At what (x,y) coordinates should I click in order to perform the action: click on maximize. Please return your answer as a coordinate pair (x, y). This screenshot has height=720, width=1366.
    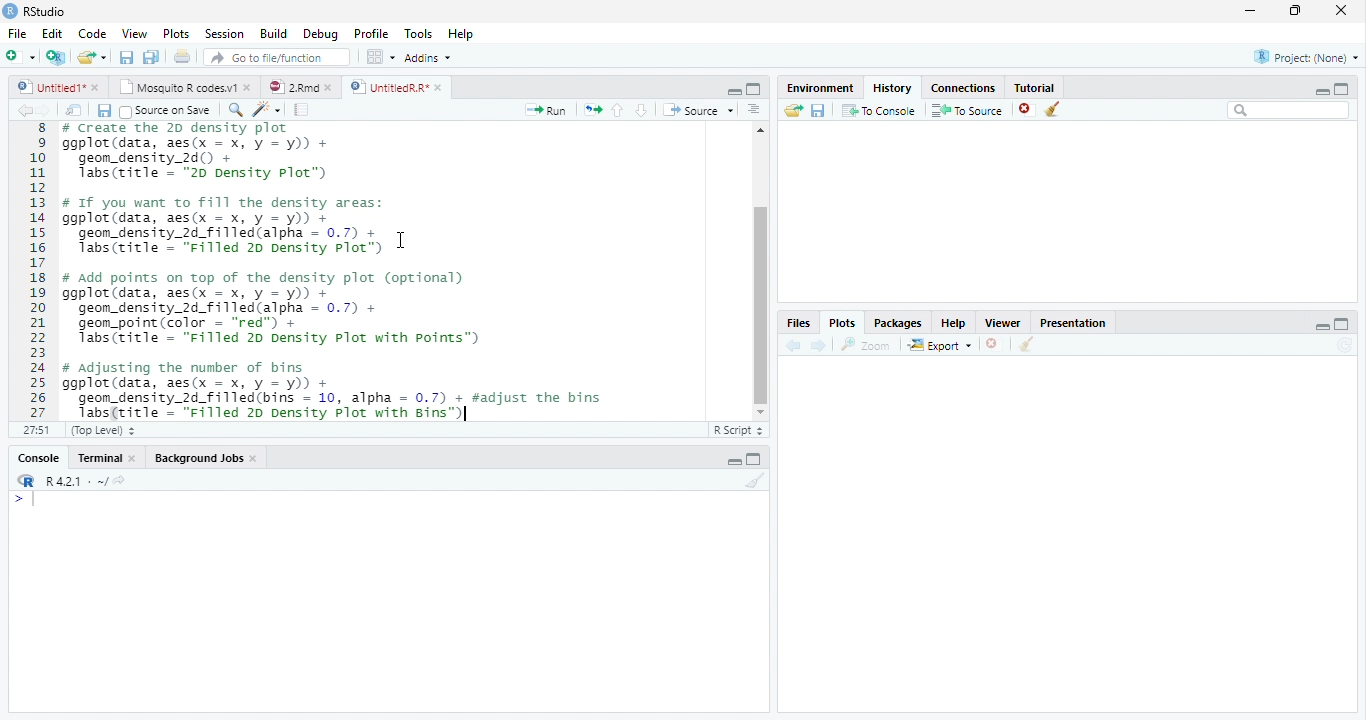
    Looking at the image, I should click on (756, 459).